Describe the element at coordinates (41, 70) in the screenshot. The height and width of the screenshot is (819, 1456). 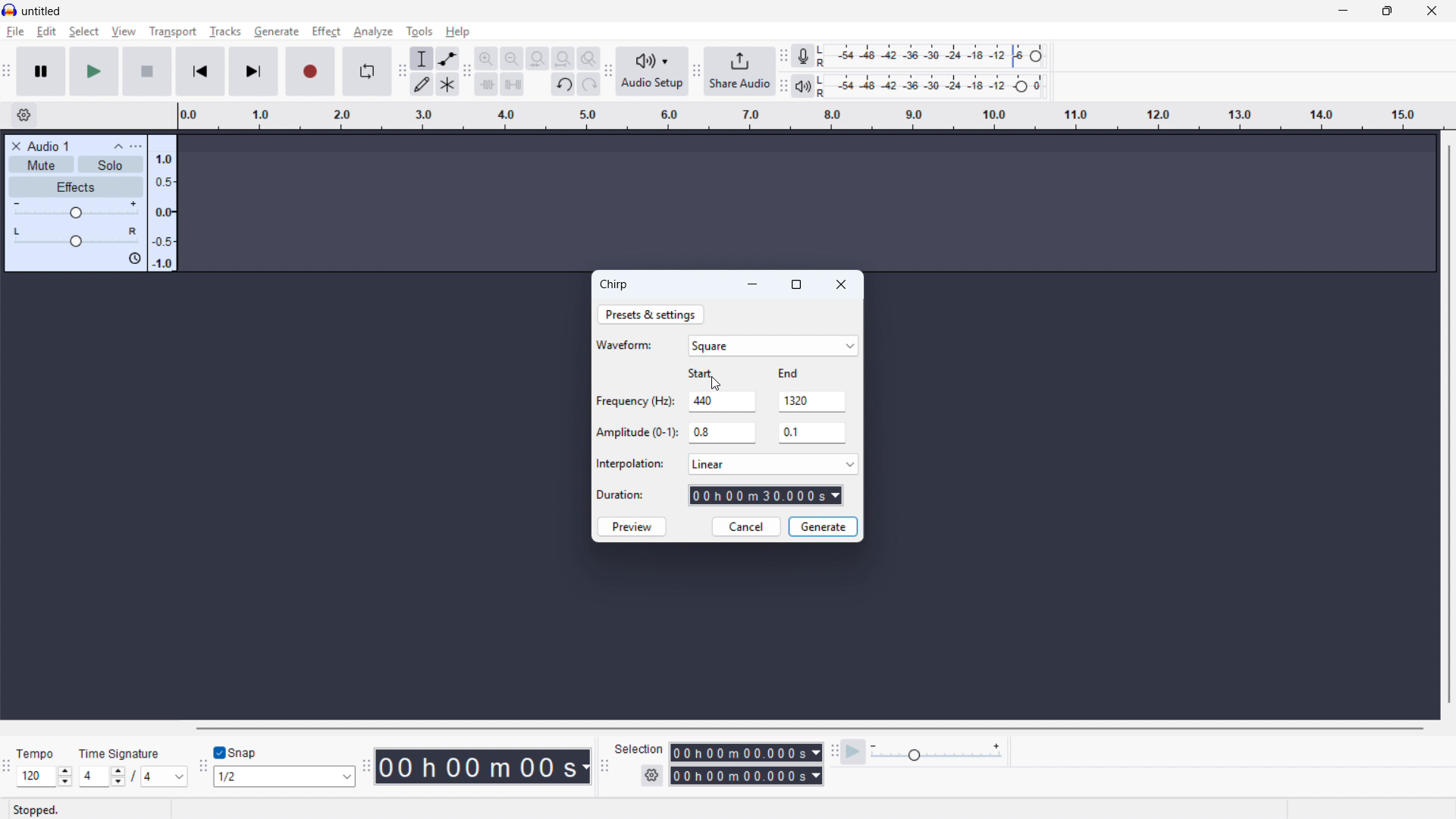
I see `Pause ` at that location.